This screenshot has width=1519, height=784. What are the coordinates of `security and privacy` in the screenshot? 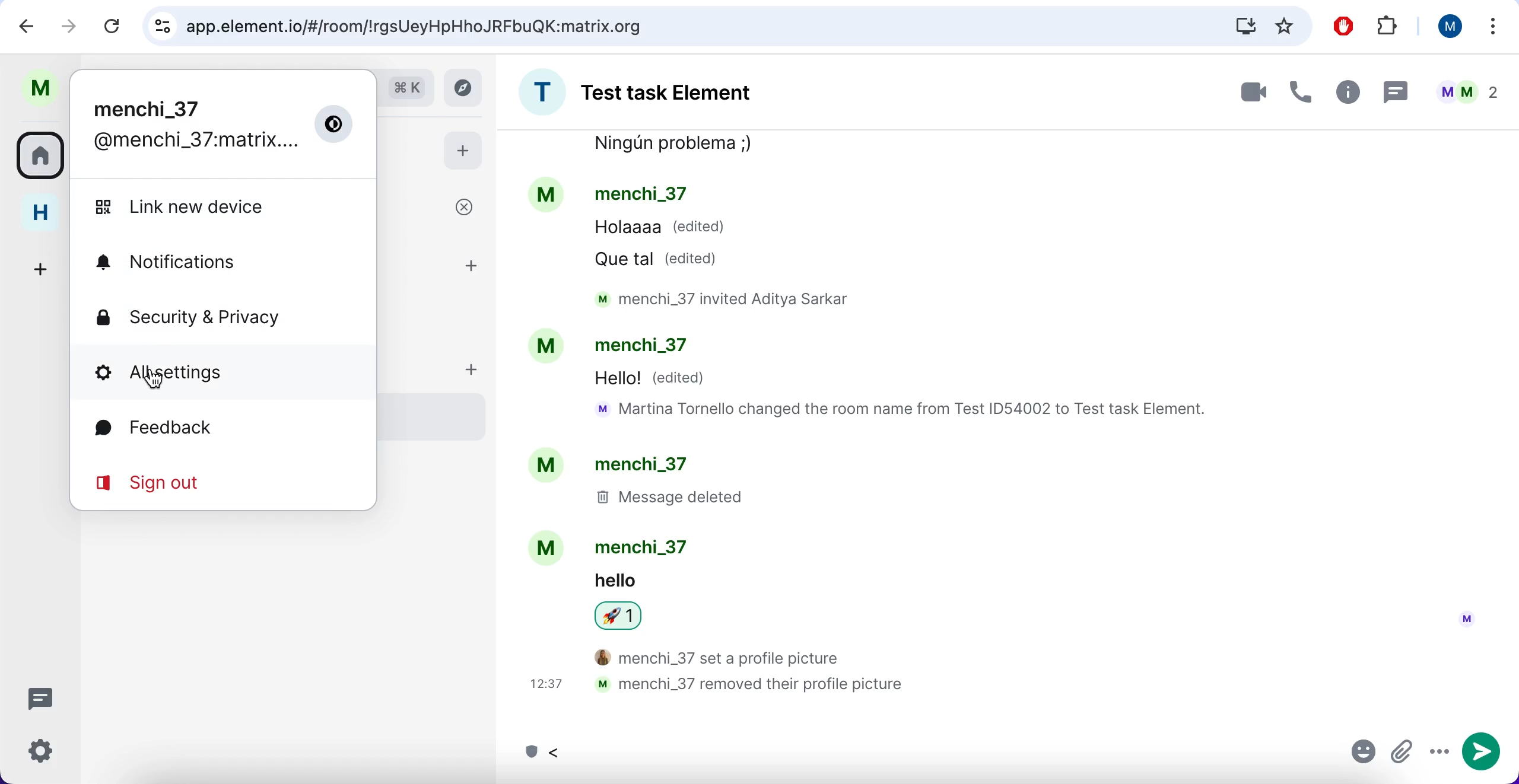 It's located at (221, 315).